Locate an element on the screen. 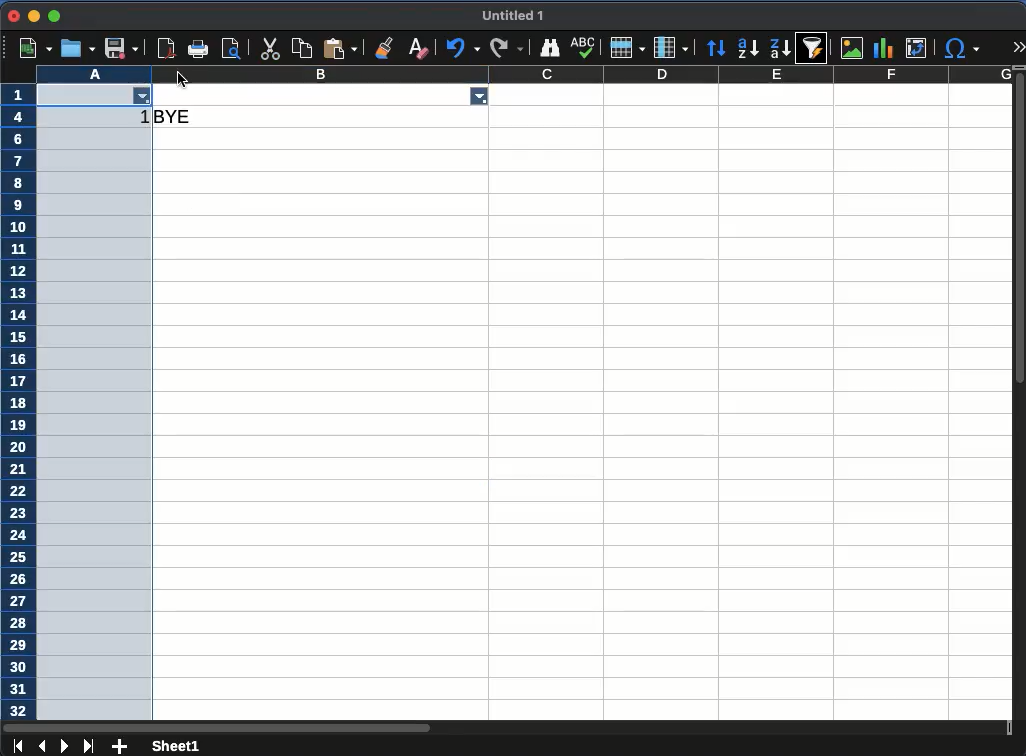 This screenshot has height=756, width=1026. chart is located at coordinates (851, 47).